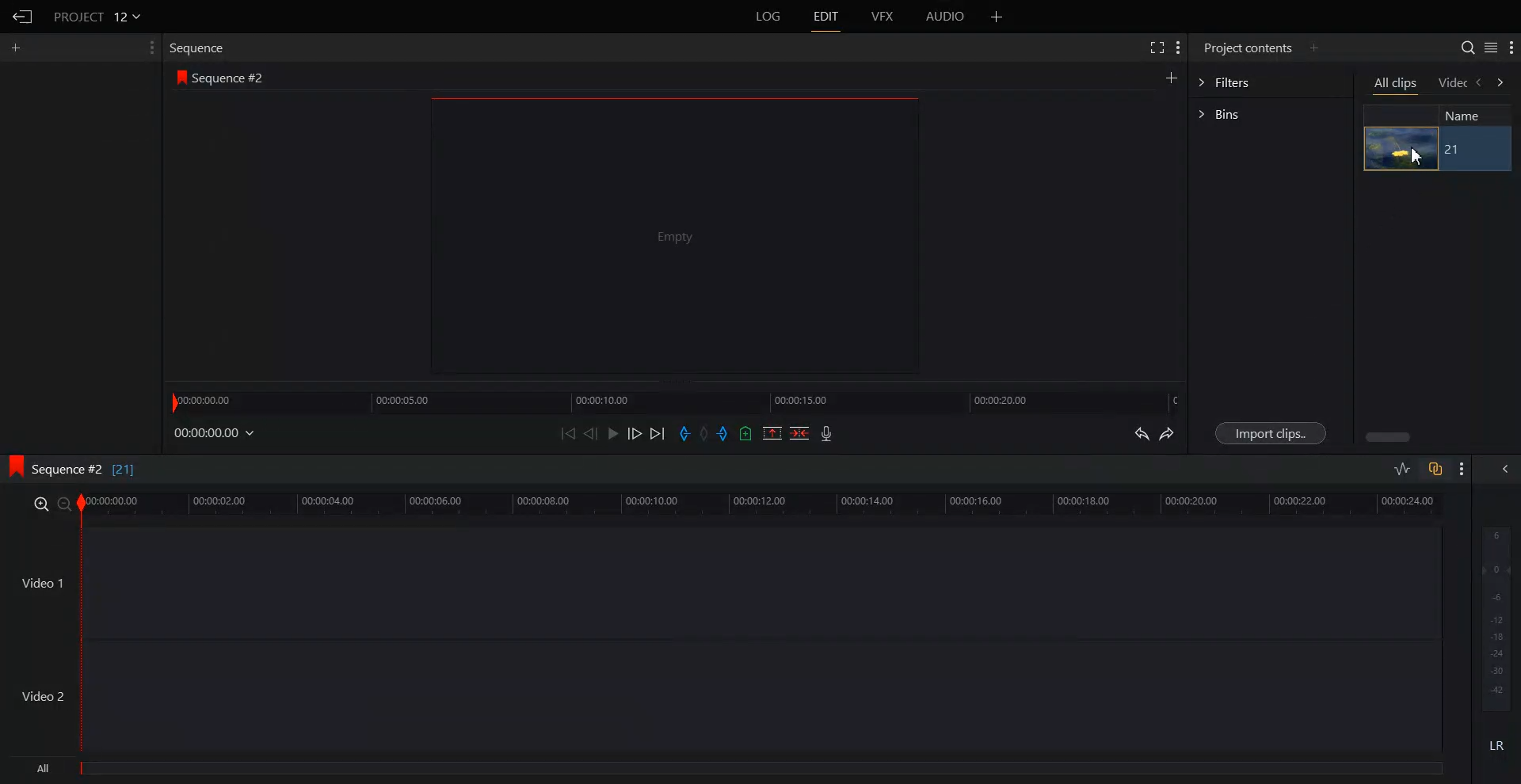 This screenshot has width=1521, height=784. Describe the element at coordinates (591, 433) in the screenshot. I see `Nudge One frame Back` at that location.